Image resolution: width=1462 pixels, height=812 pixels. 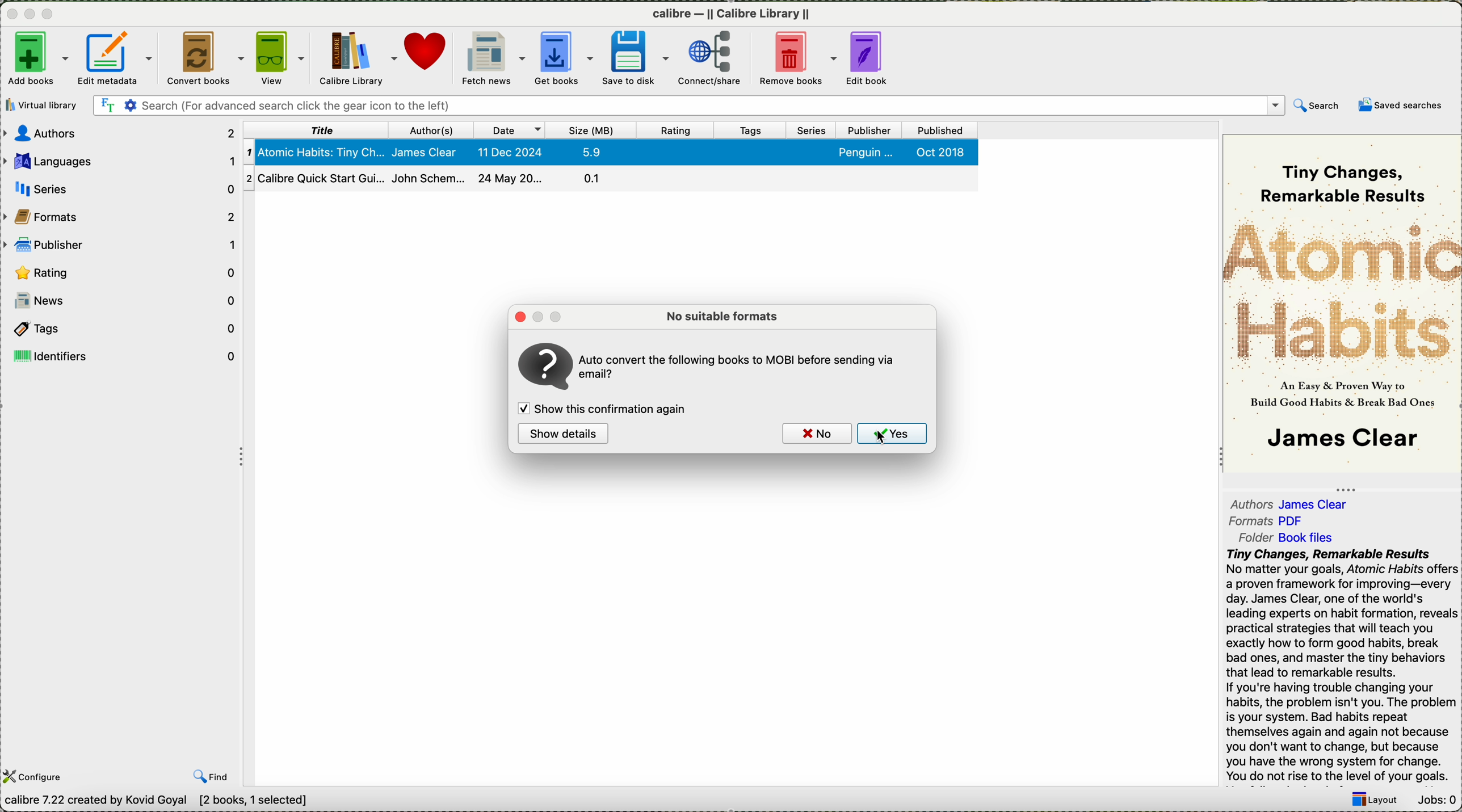 I want to click on tags, so click(x=121, y=330).